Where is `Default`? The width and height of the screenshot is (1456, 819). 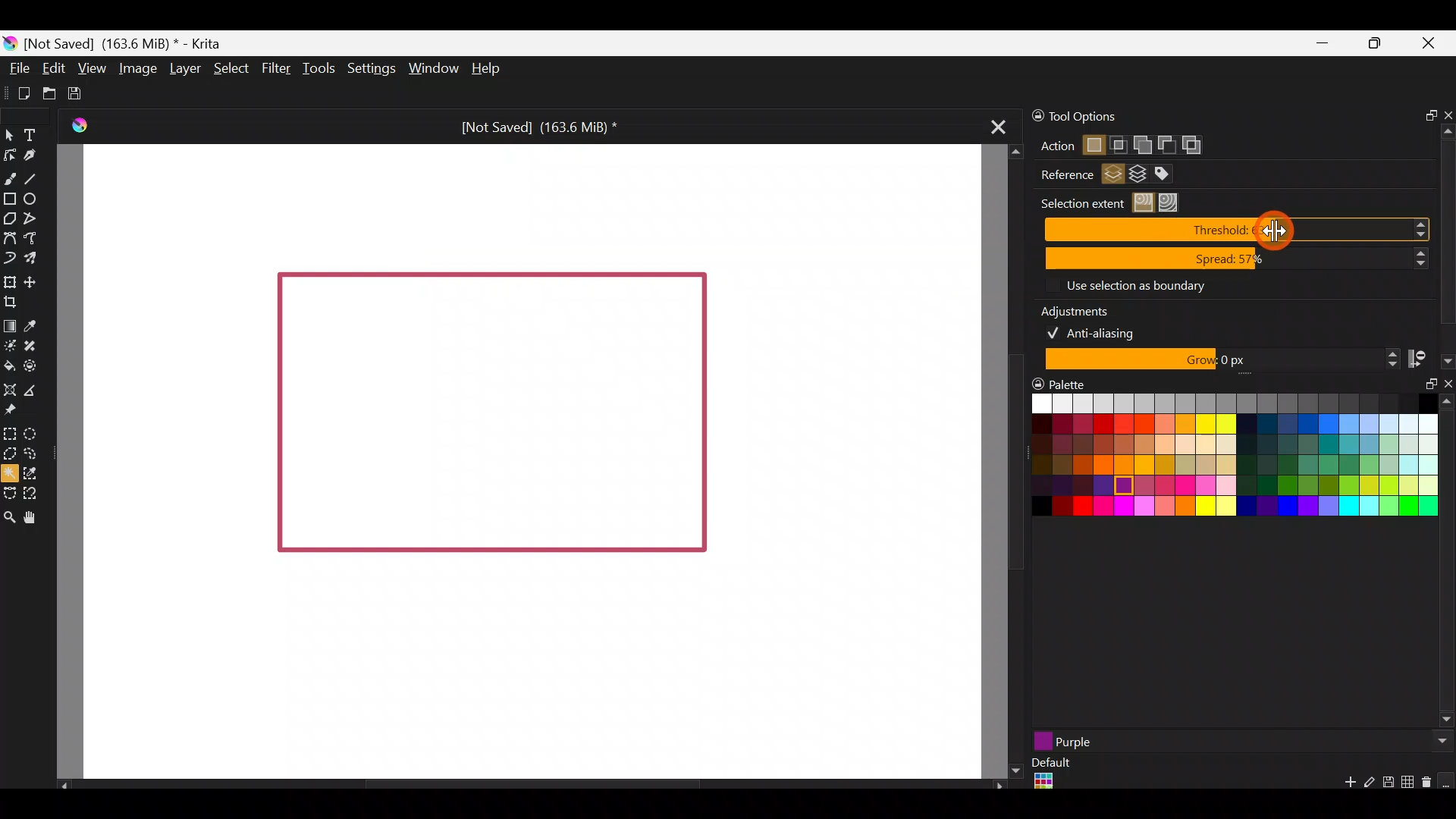
Default is located at coordinates (1050, 775).